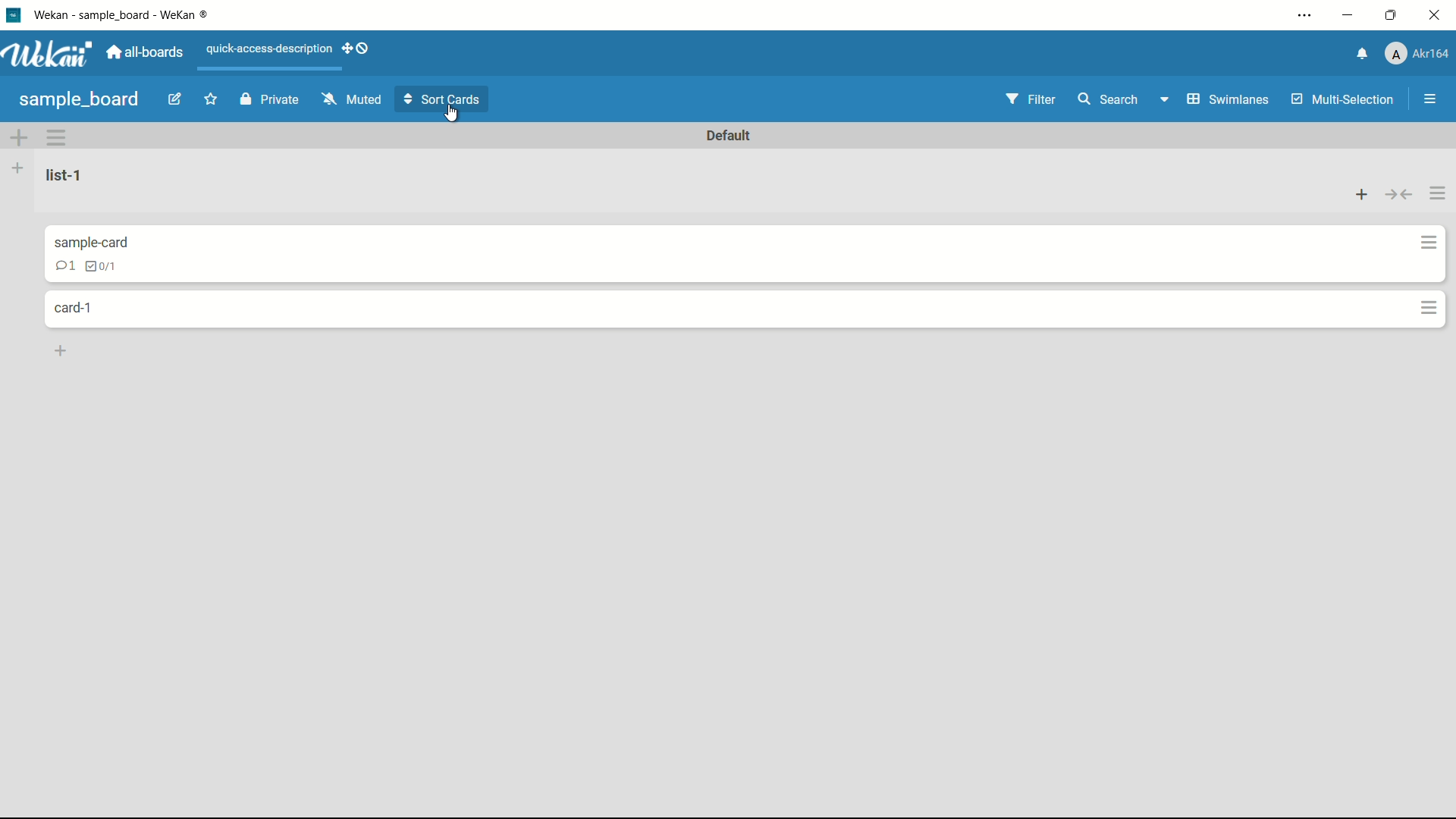 The width and height of the screenshot is (1456, 819). What do you see at coordinates (1363, 54) in the screenshot?
I see `notifications` at bounding box center [1363, 54].